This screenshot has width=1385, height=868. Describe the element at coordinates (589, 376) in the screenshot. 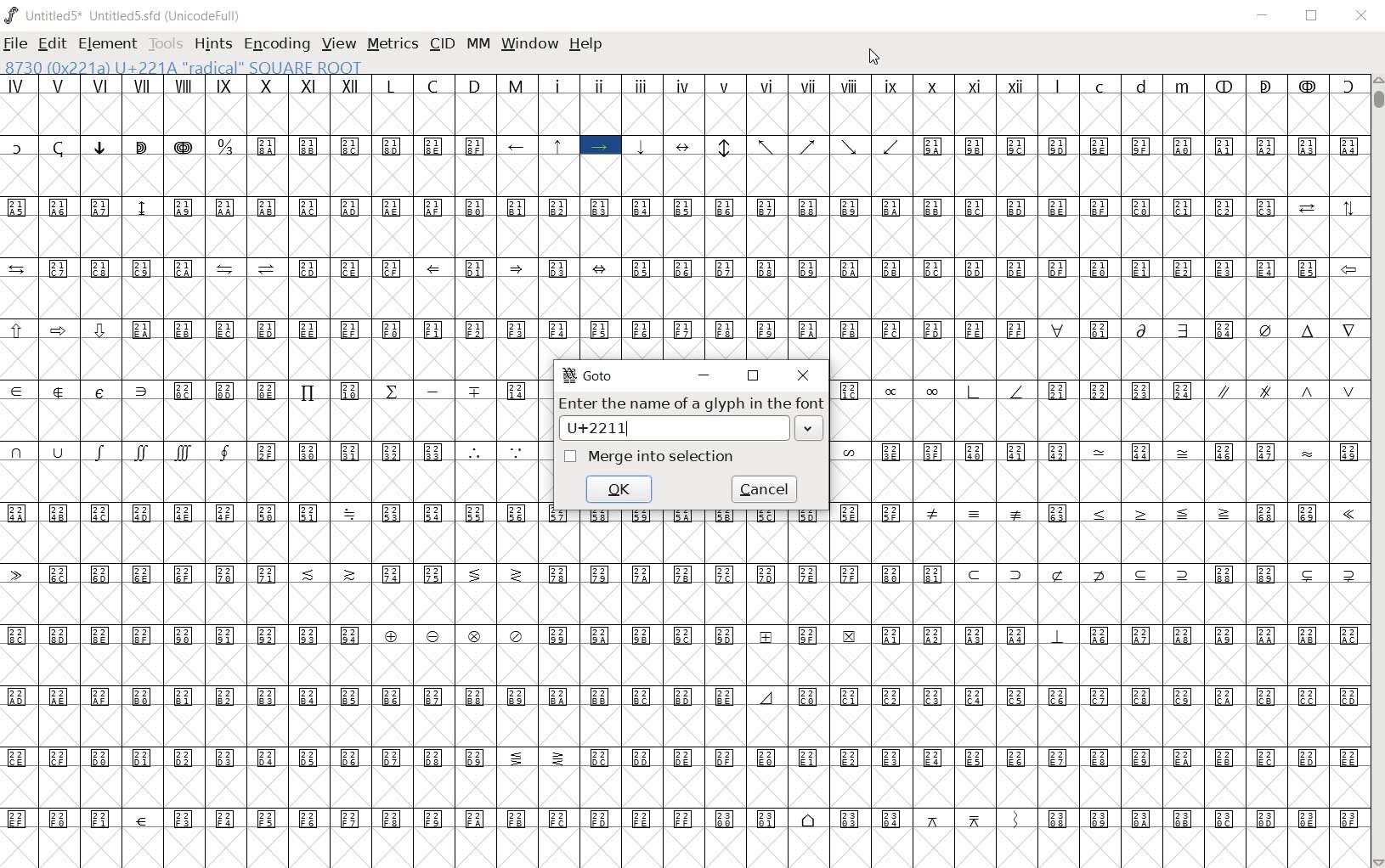

I see `GoTo` at that location.